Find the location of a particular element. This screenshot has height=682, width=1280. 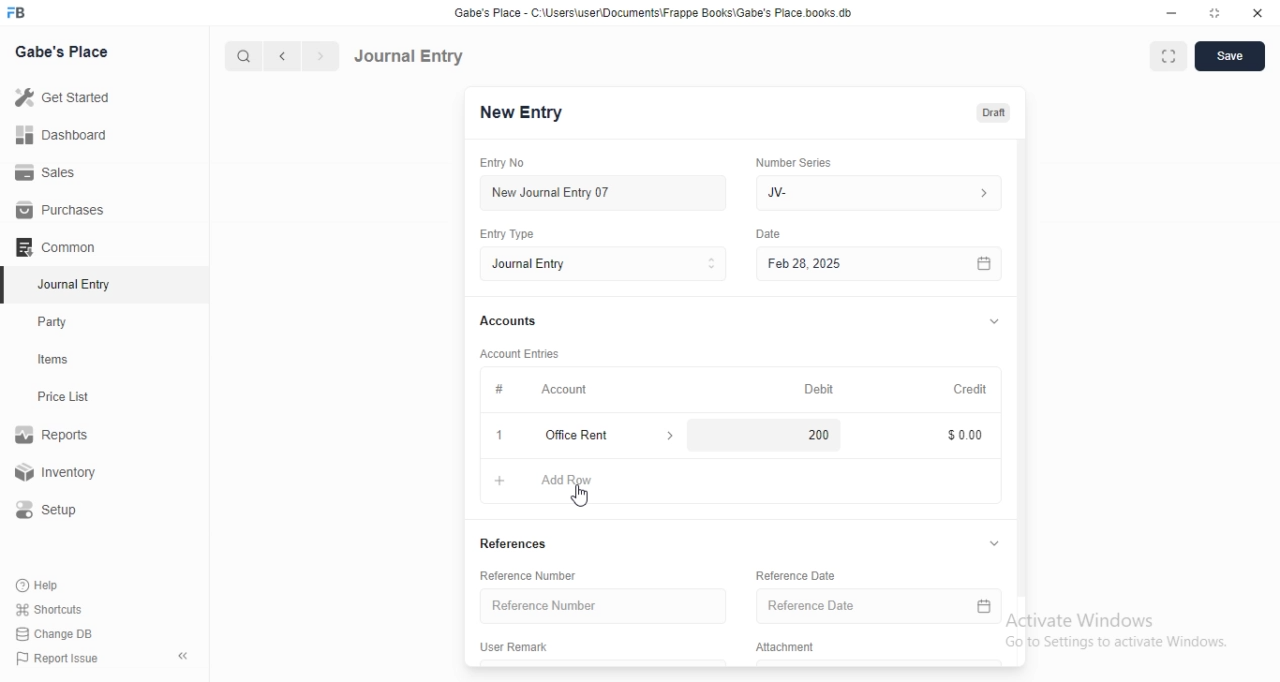

Entry Type is located at coordinates (509, 234).